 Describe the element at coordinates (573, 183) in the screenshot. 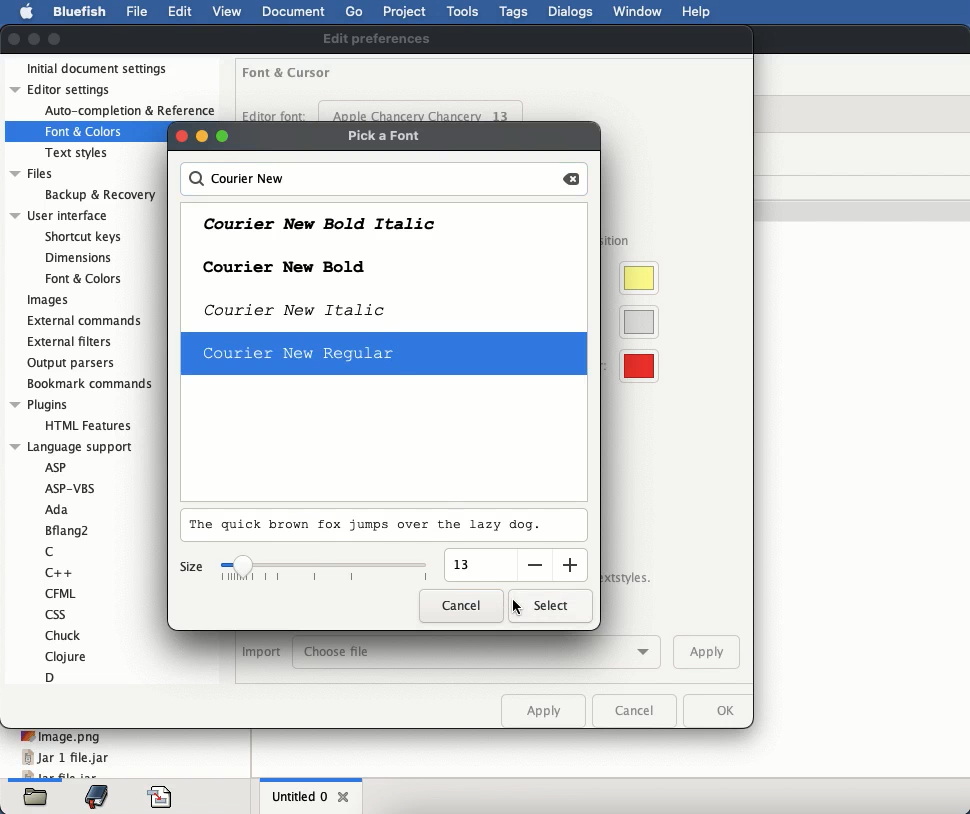

I see `backspace` at that location.